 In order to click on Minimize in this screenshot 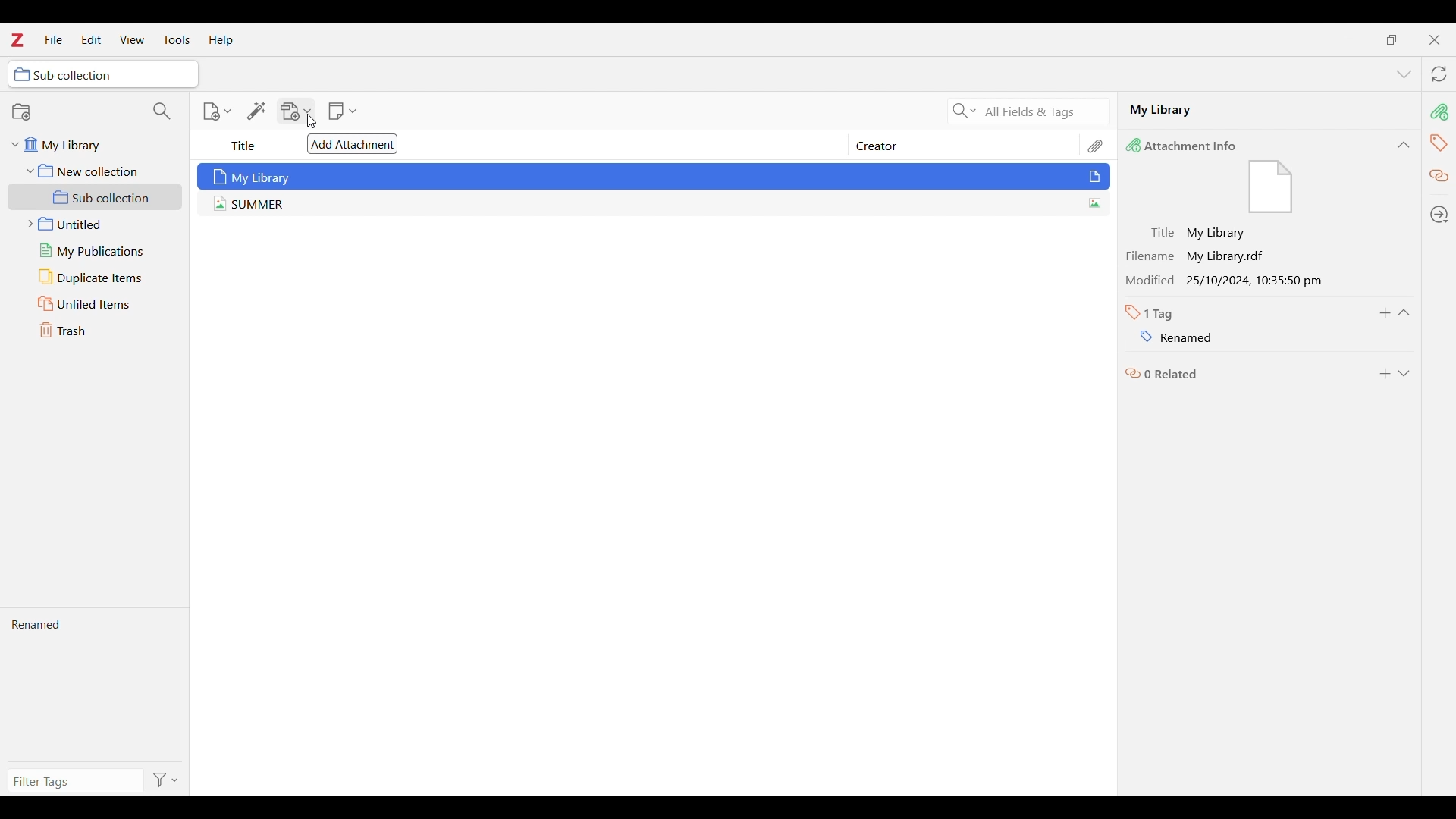, I will do `click(1348, 39)`.